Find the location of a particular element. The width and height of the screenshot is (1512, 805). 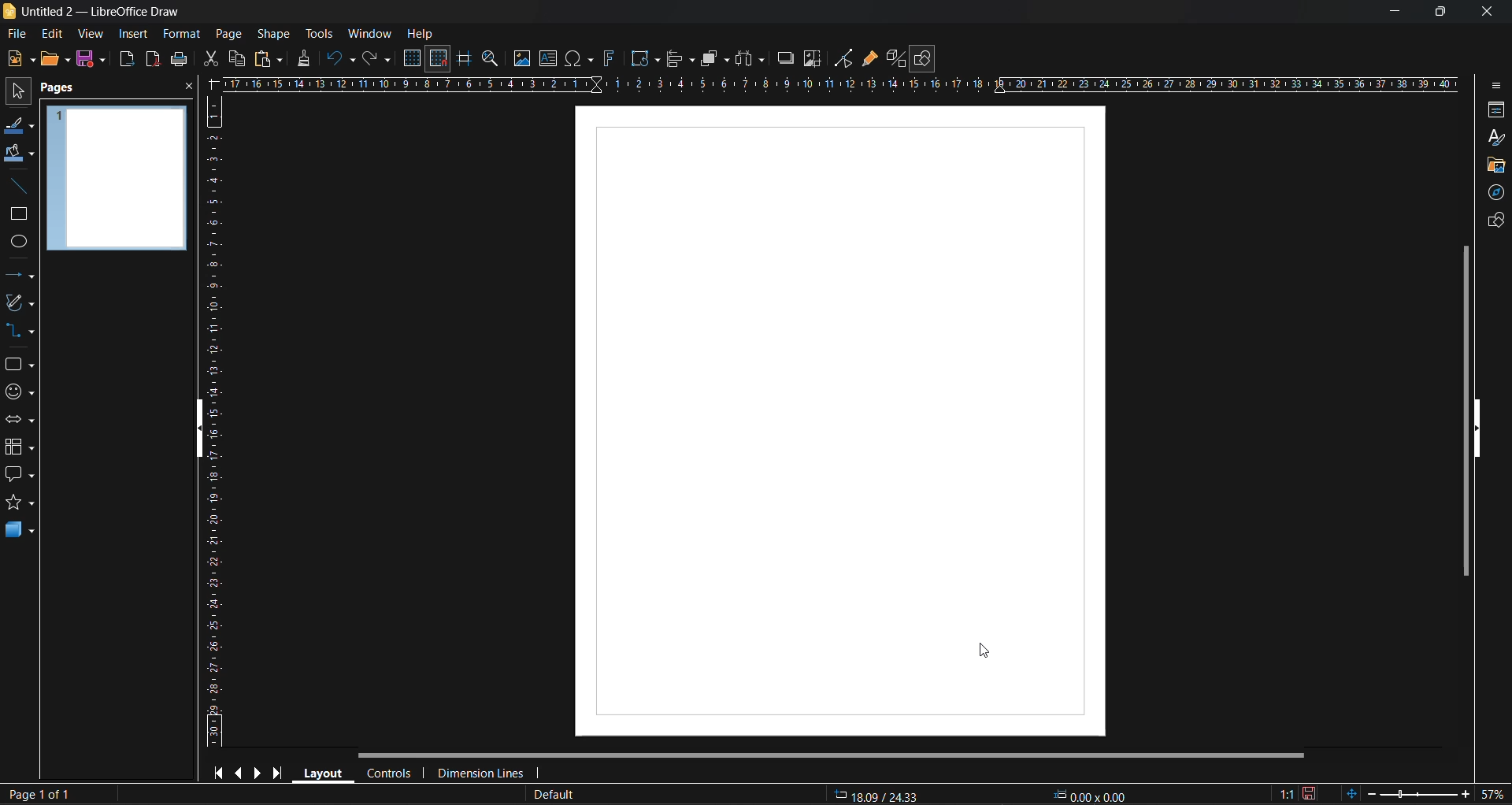

connectors is located at coordinates (23, 331).